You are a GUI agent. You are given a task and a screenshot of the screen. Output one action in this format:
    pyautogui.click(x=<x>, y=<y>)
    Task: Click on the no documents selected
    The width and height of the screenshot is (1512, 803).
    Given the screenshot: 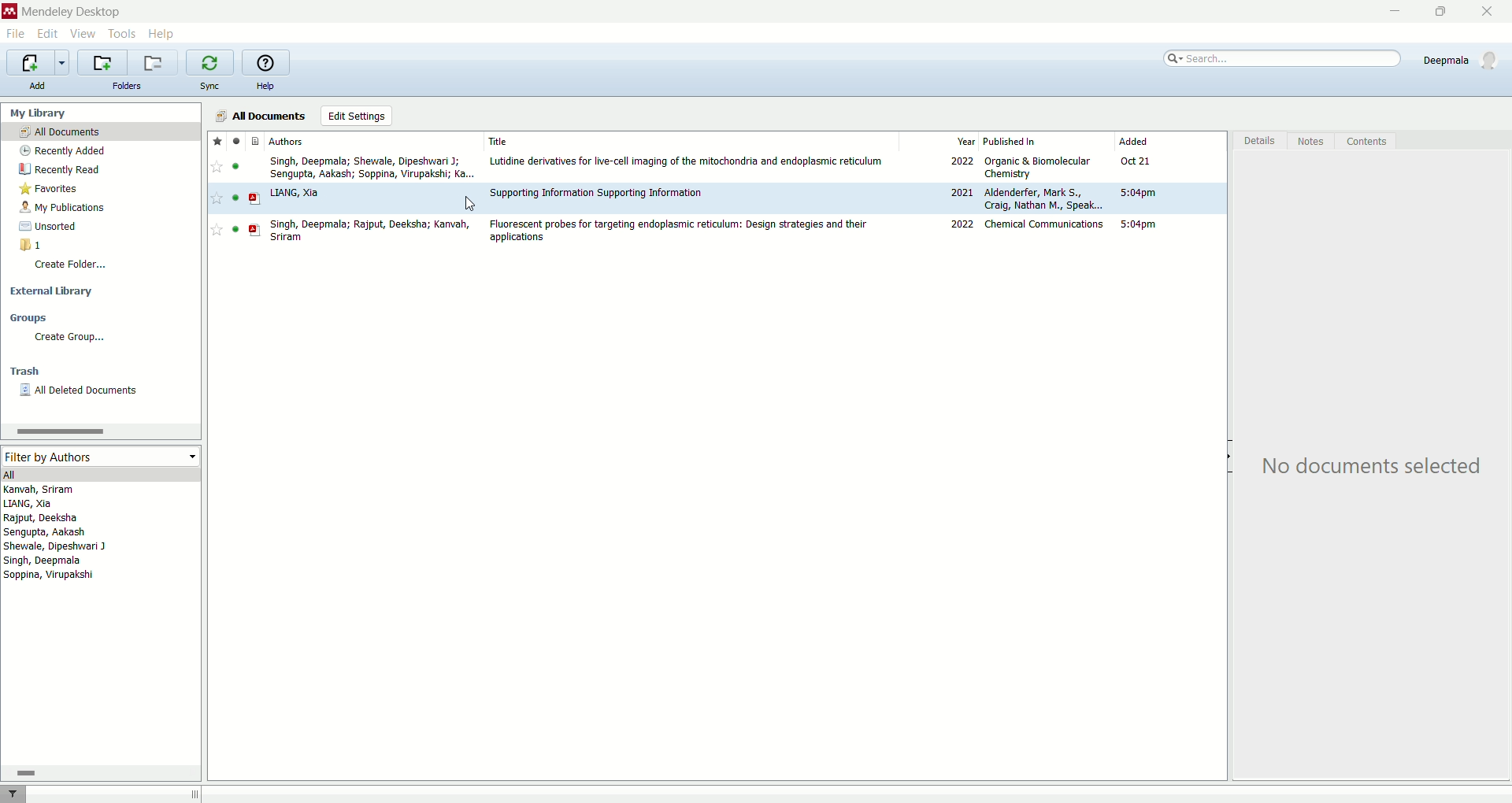 What is the action you would take?
    pyautogui.click(x=1364, y=470)
    